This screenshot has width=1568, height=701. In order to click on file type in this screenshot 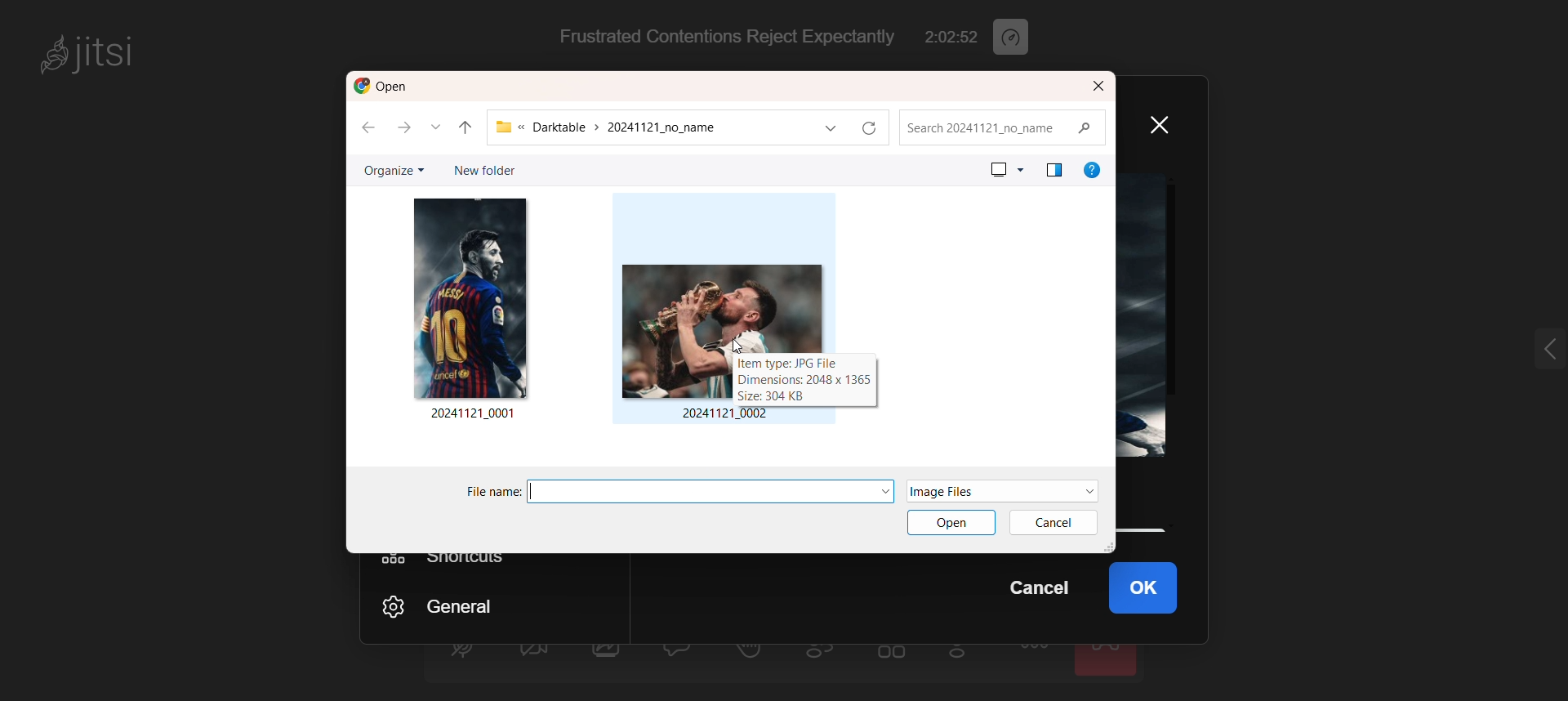, I will do `click(977, 491)`.